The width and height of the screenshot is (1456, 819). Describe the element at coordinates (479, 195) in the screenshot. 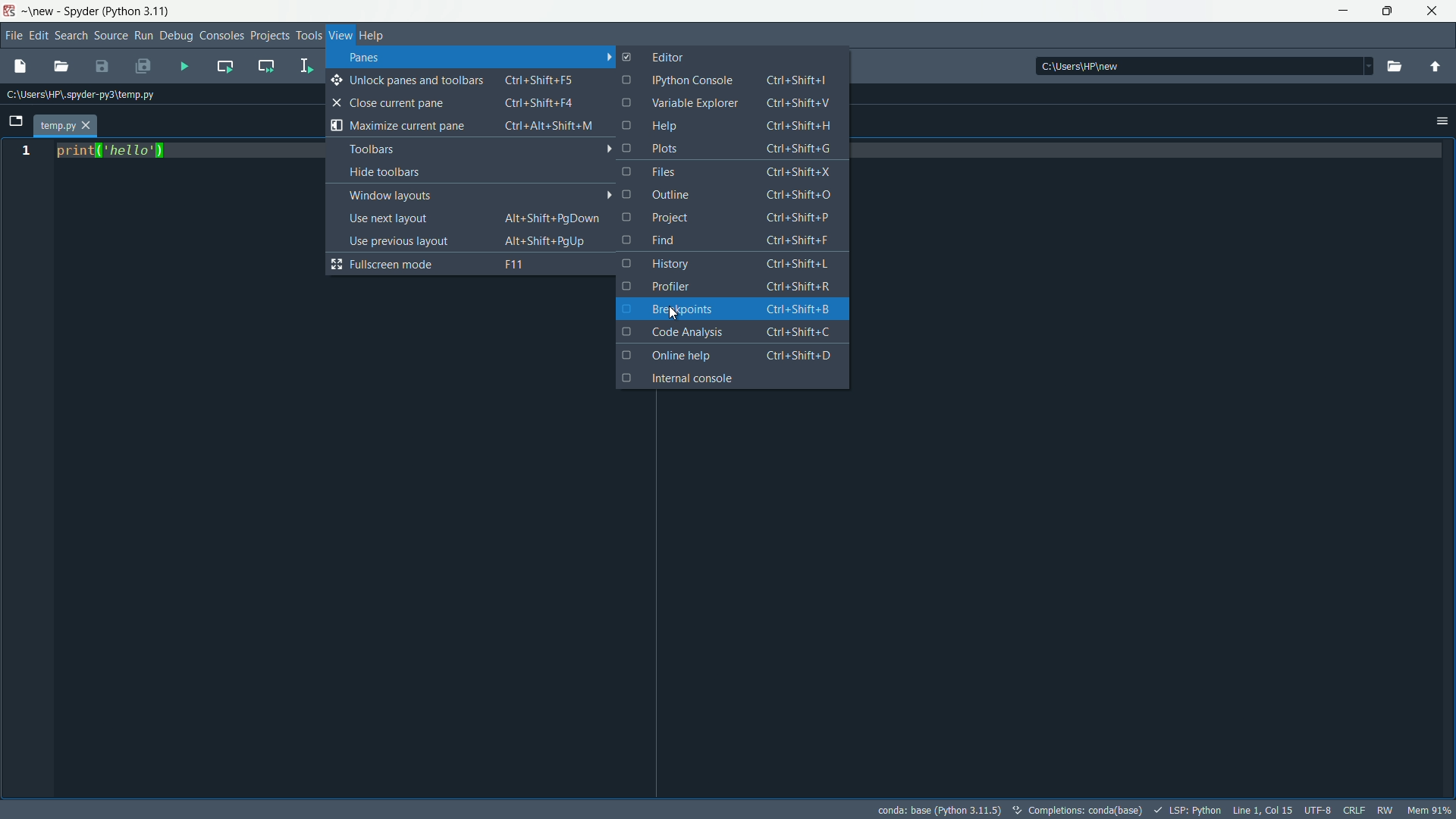

I see `window layouts` at that location.